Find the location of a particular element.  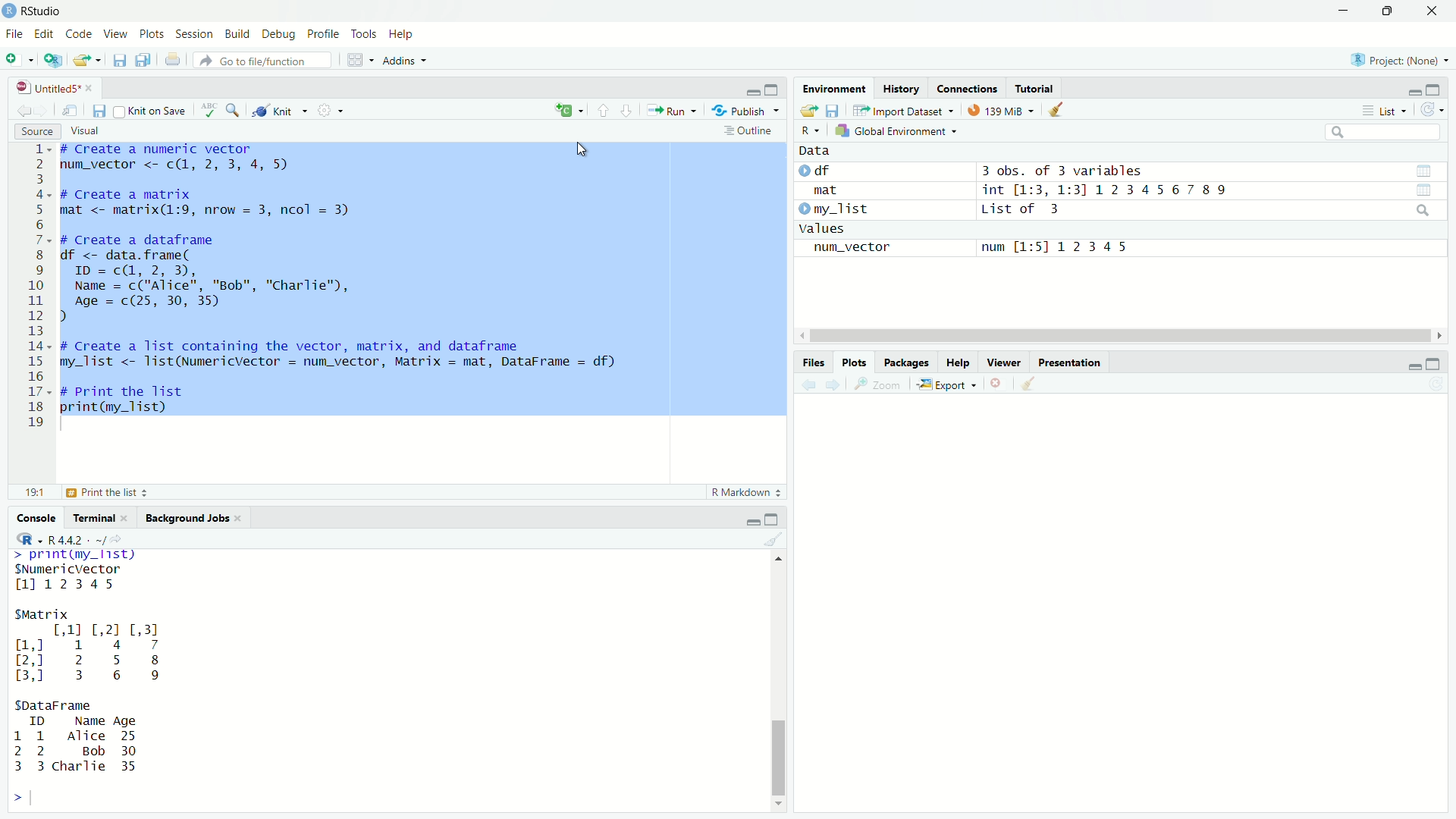

back is located at coordinates (26, 110).